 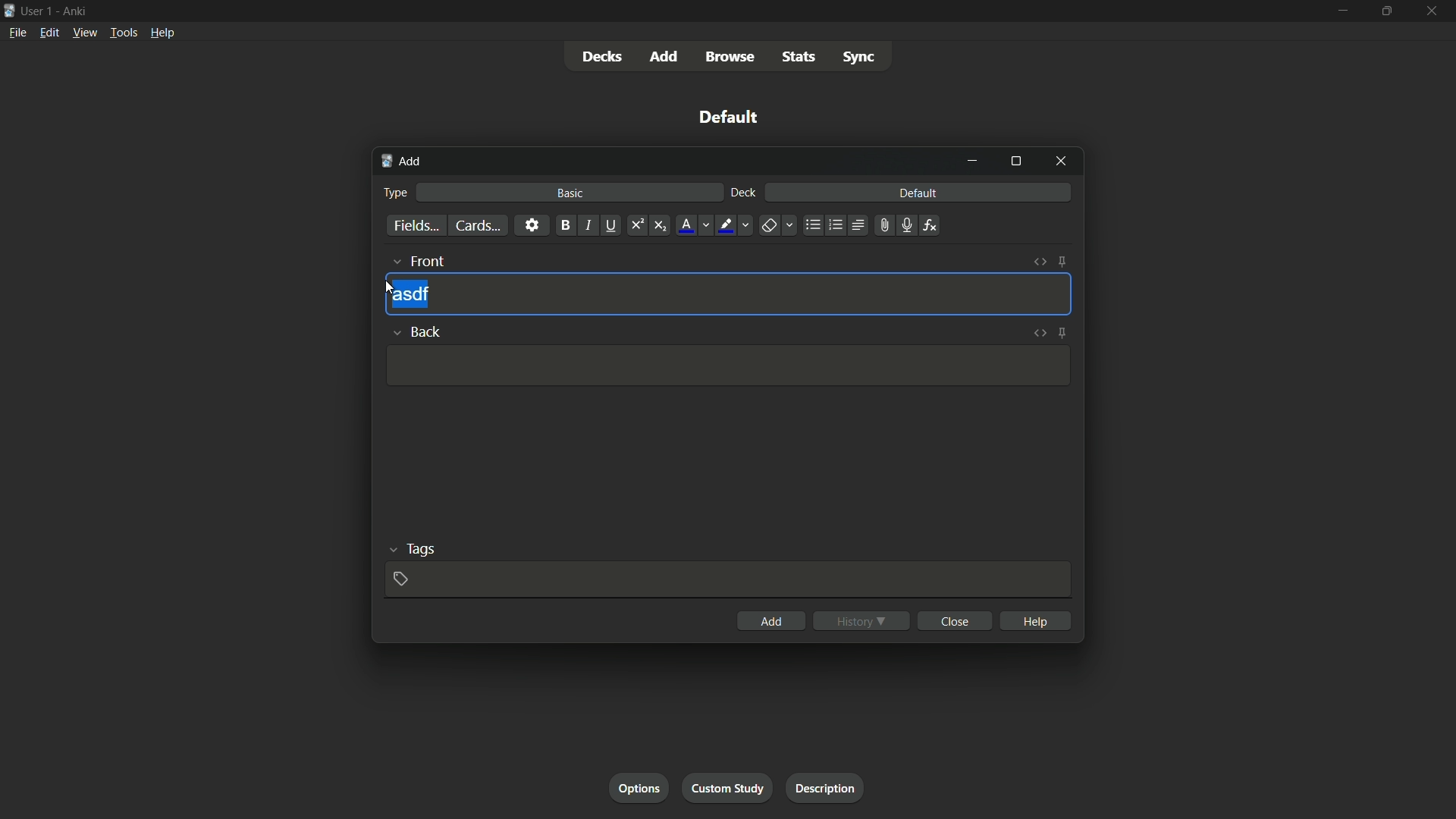 I want to click on record audio, so click(x=908, y=224).